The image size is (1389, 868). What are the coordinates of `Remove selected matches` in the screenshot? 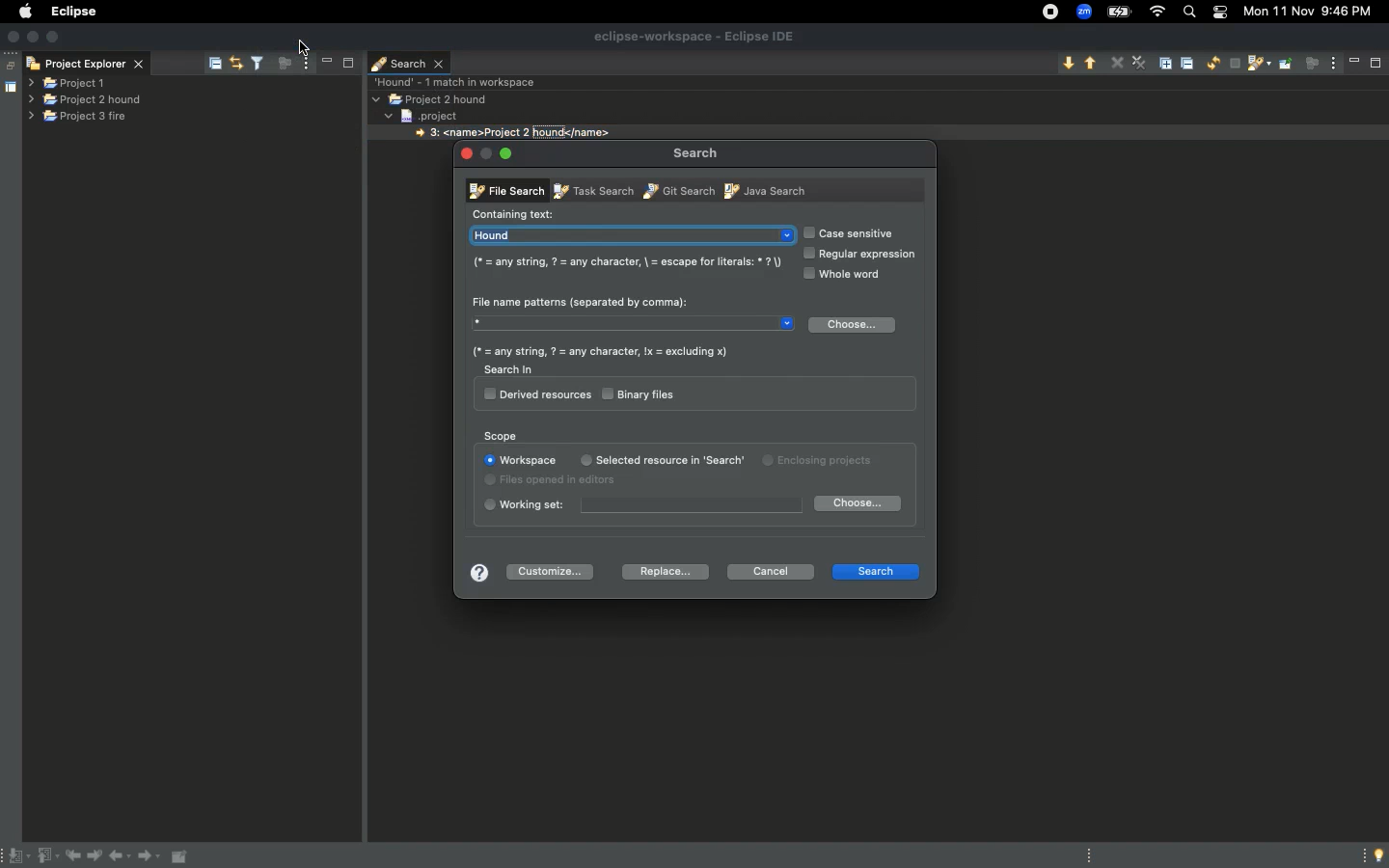 It's located at (1118, 62).